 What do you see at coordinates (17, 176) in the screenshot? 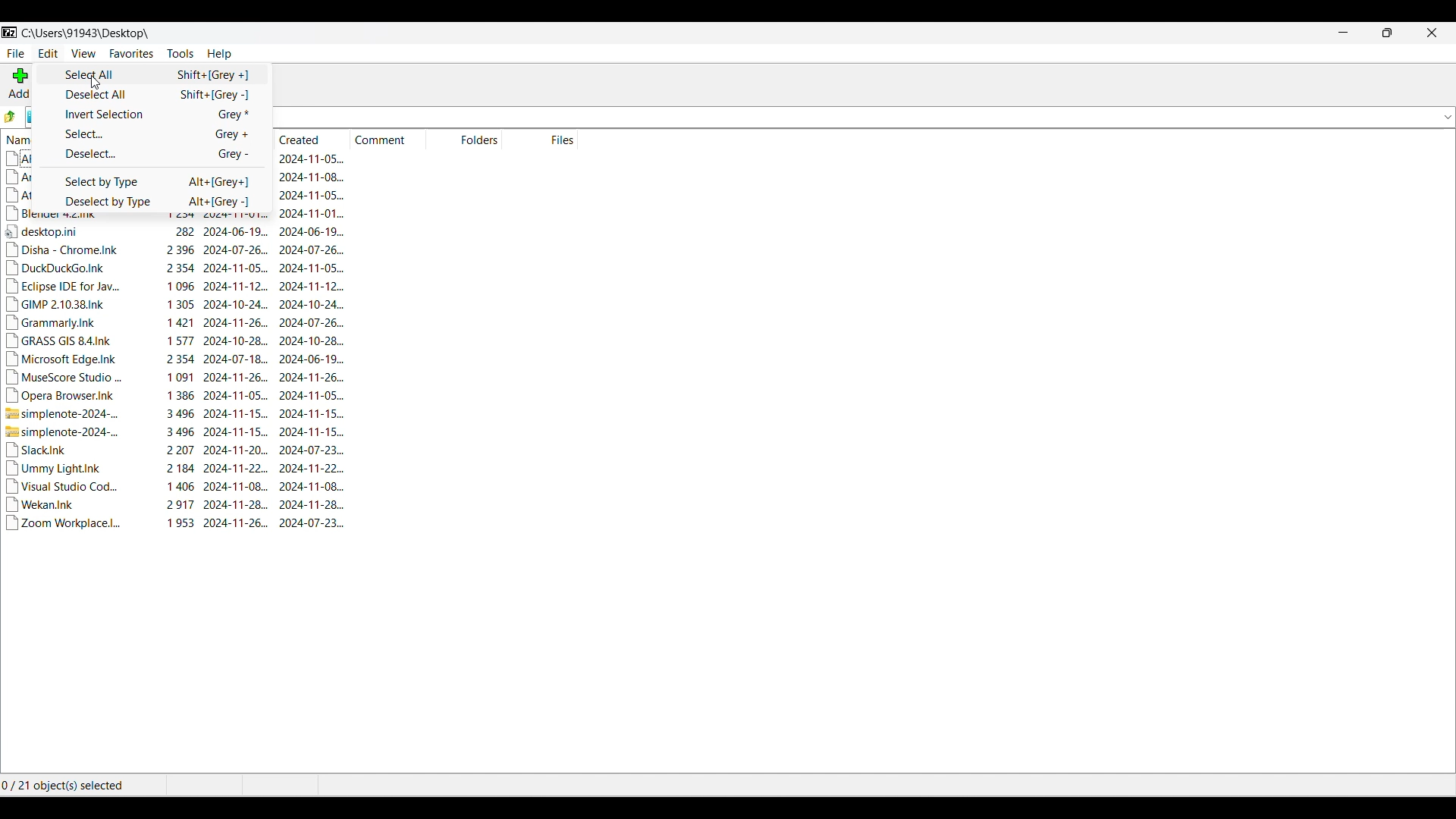
I see `data` at bounding box center [17, 176].